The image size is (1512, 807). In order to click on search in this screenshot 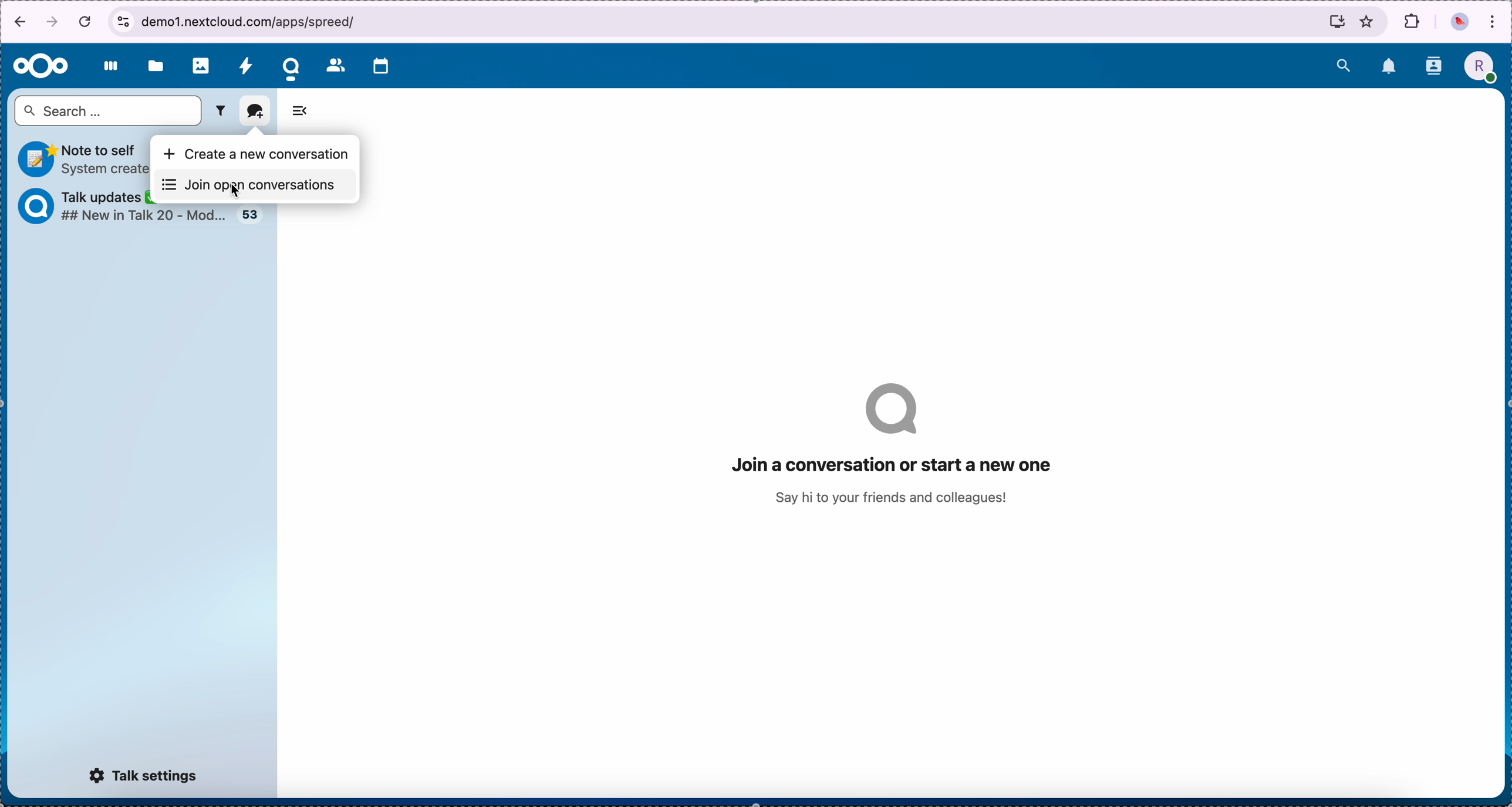, I will do `click(1341, 65)`.